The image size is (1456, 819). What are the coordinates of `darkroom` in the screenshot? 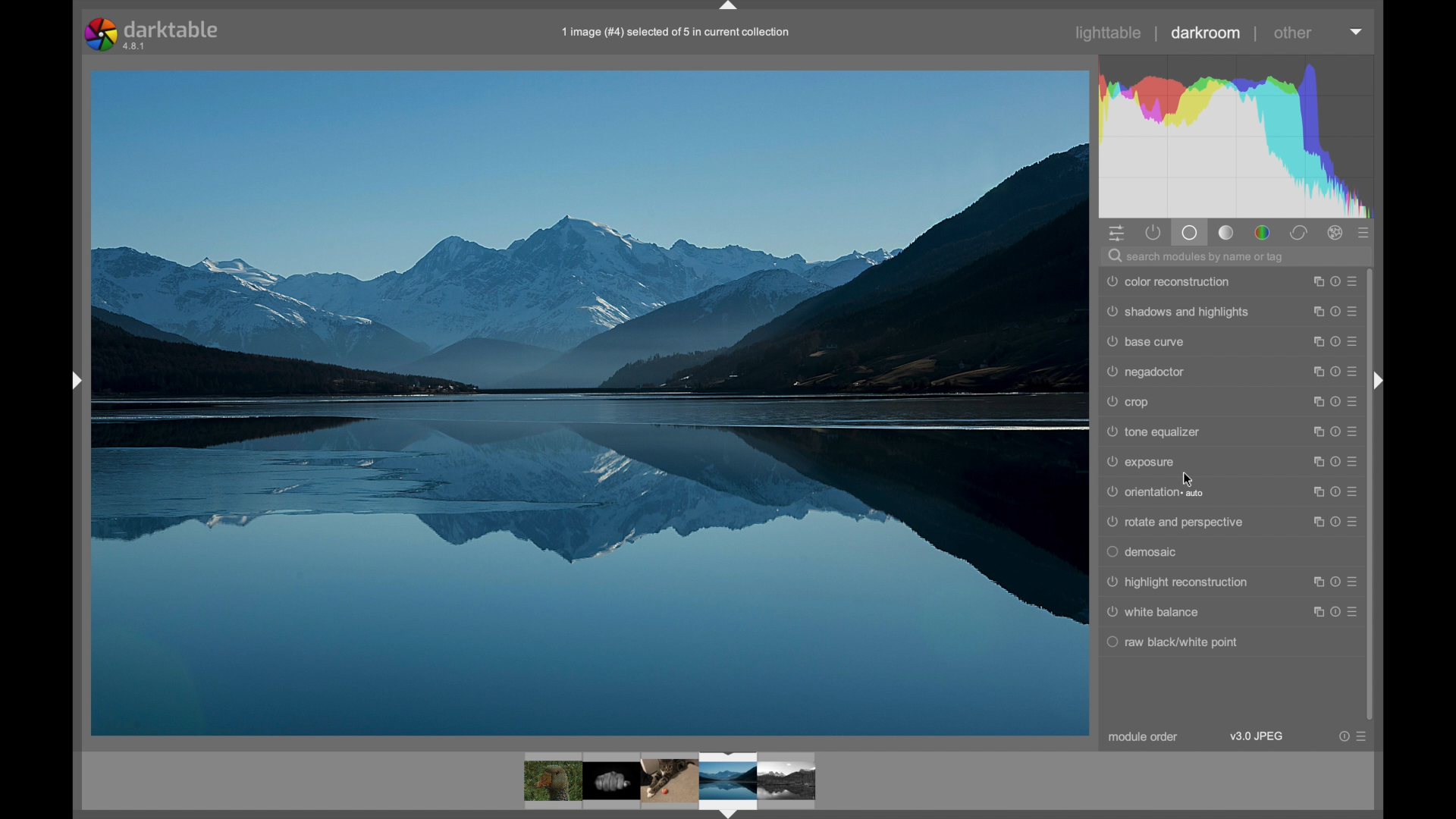 It's located at (1205, 33).